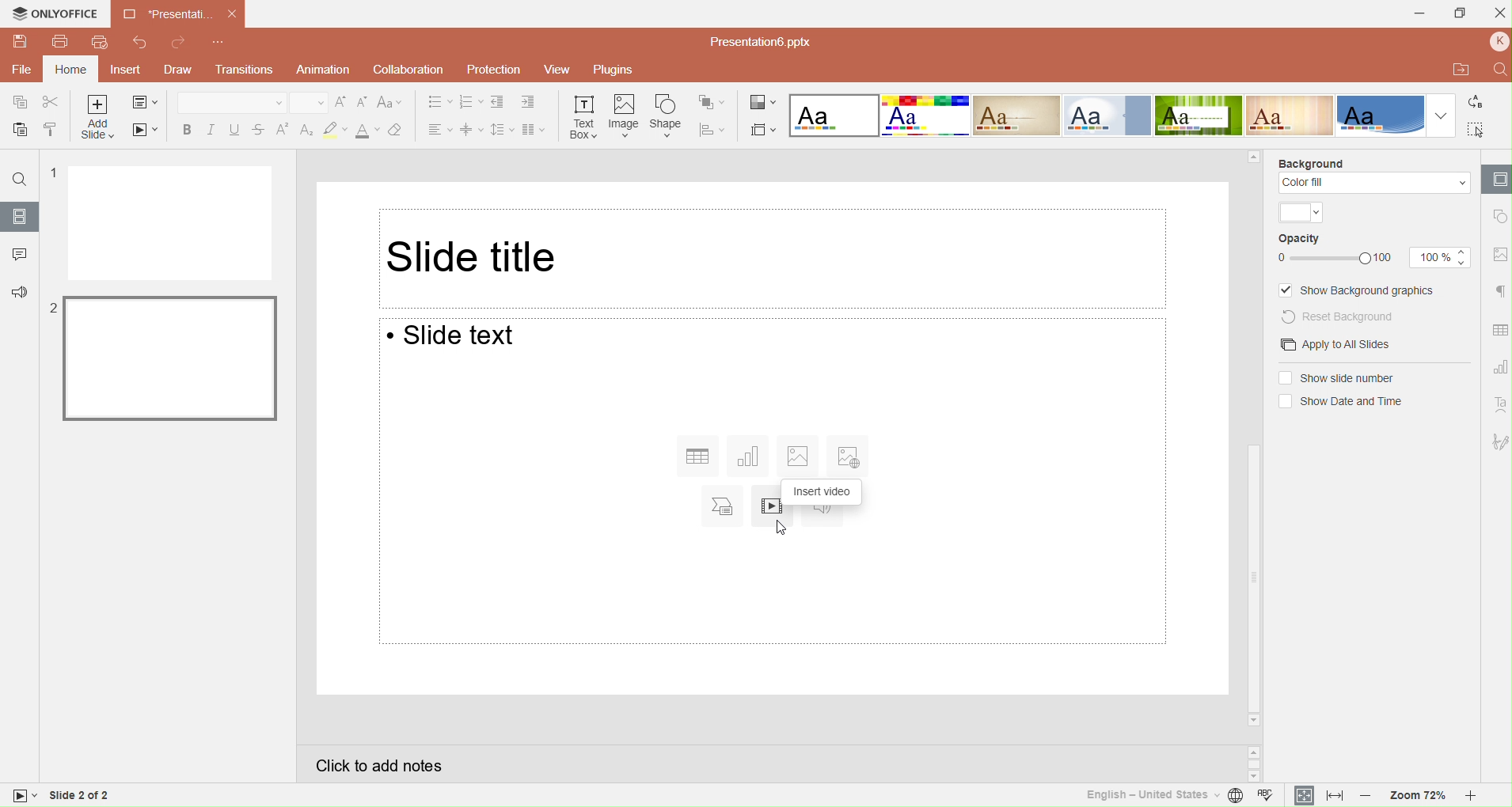  Describe the element at coordinates (1236, 796) in the screenshot. I see `Set document language` at that location.